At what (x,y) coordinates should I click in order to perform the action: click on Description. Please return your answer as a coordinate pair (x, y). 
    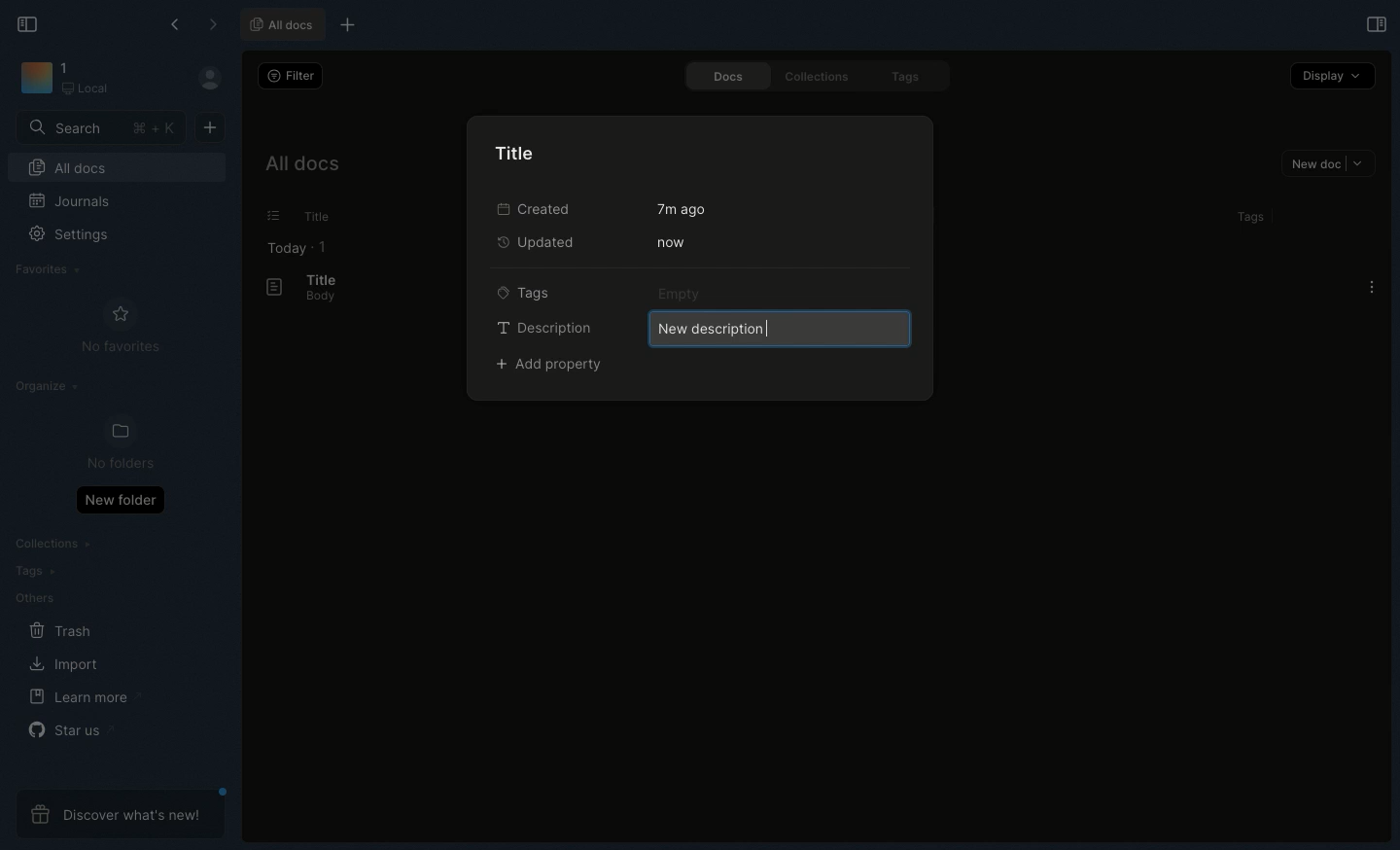
    Looking at the image, I should click on (544, 327).